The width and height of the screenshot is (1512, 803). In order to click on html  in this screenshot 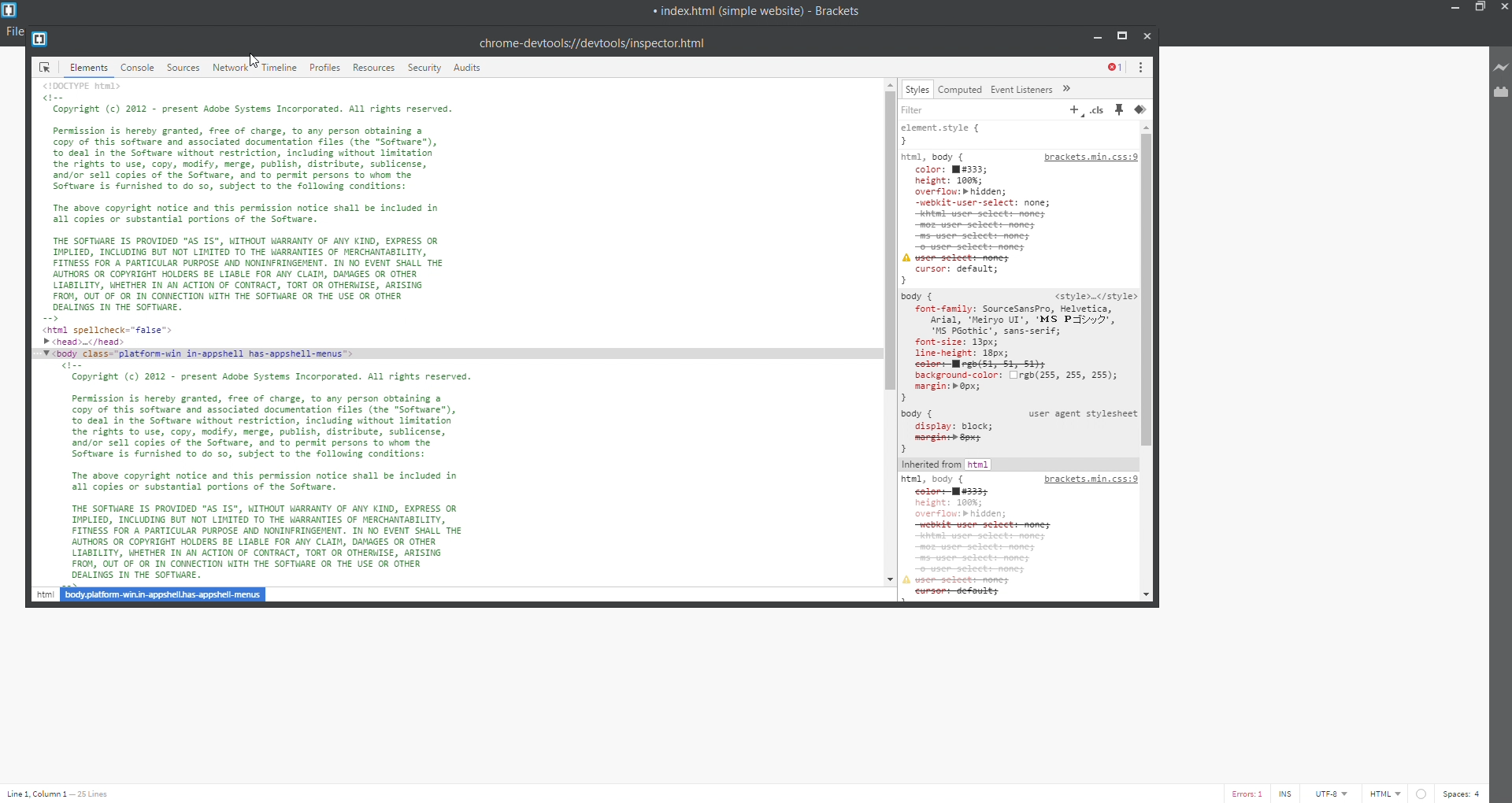, I will do `click(43, 594)`.